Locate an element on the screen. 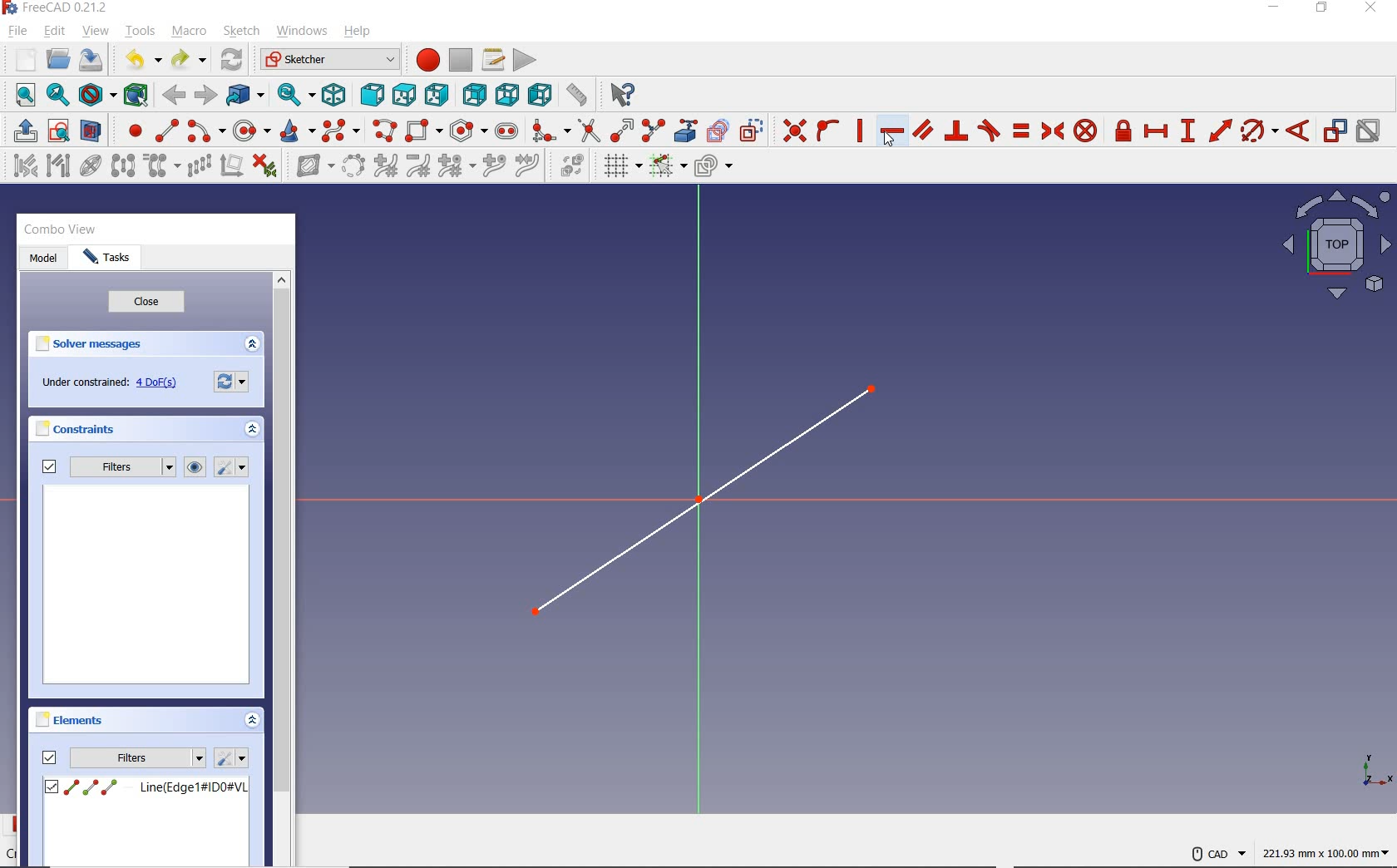 The height and width of the screenshot is (868, 1397). CONSTRAINT HORIZONTAL DISTANCE is located at coordinates (1155, 132).